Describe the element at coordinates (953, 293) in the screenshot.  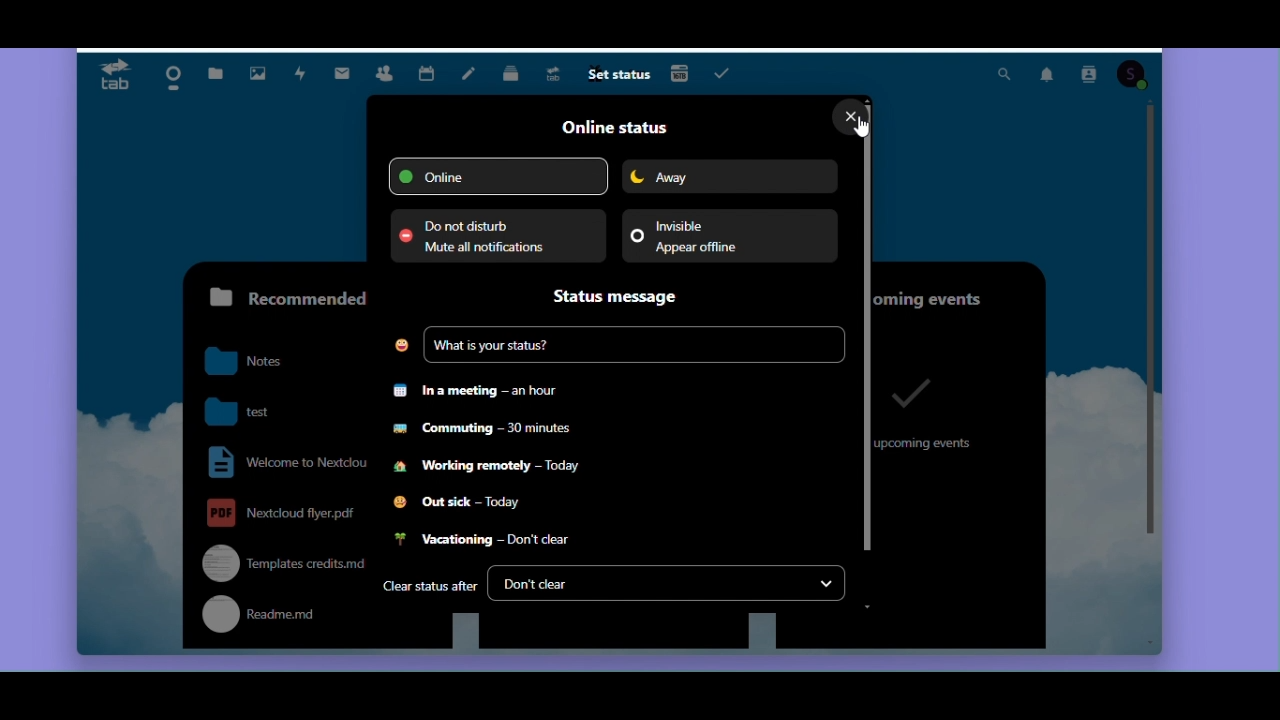
I see `Upcoming events` at that location.